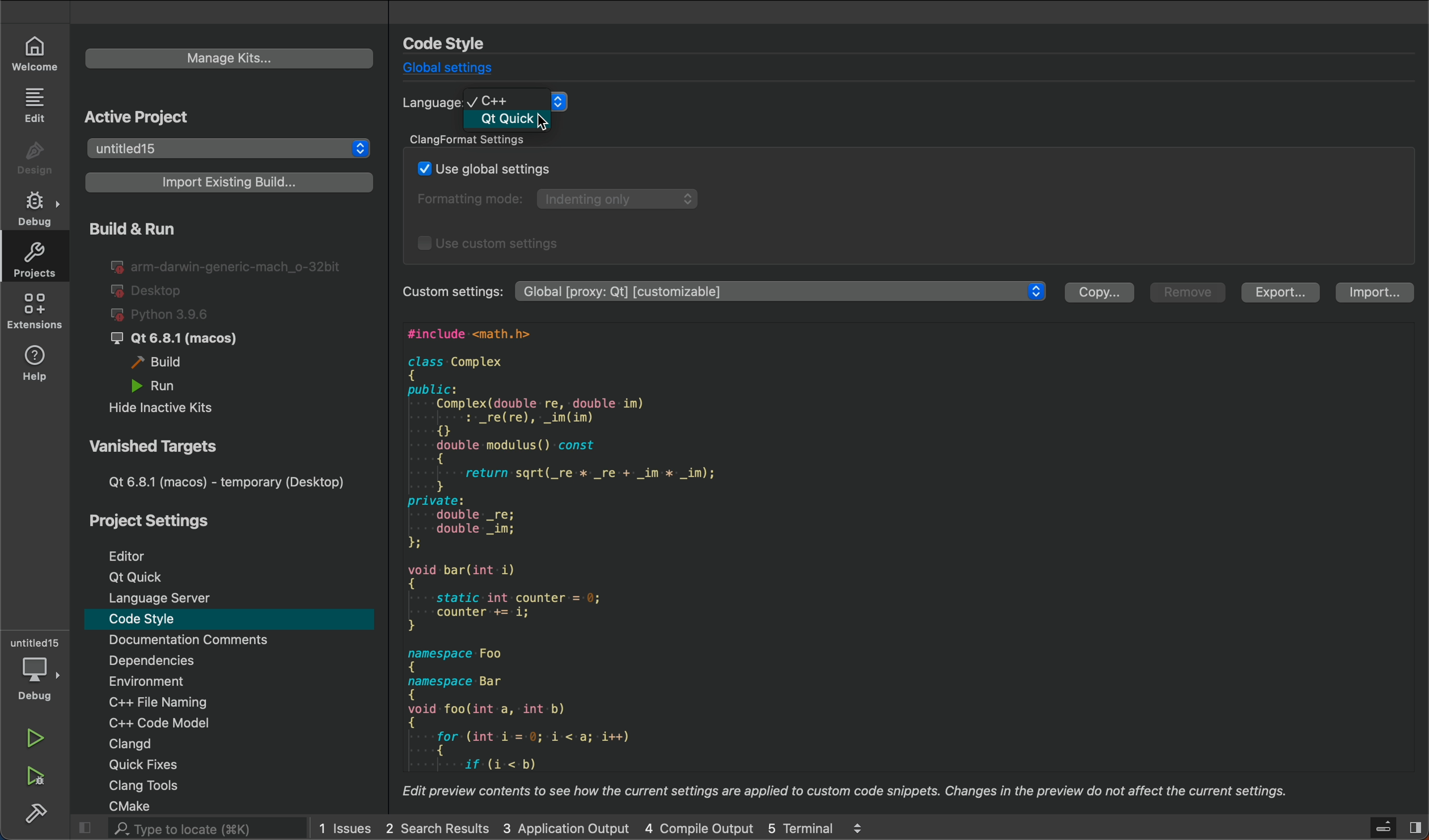 Image resolution: width=1429 pixels, height=840 pixels. What do you see at coordinates (449, 69) in the screenshot?
I see `global settings` at bounding box center [449, 69].